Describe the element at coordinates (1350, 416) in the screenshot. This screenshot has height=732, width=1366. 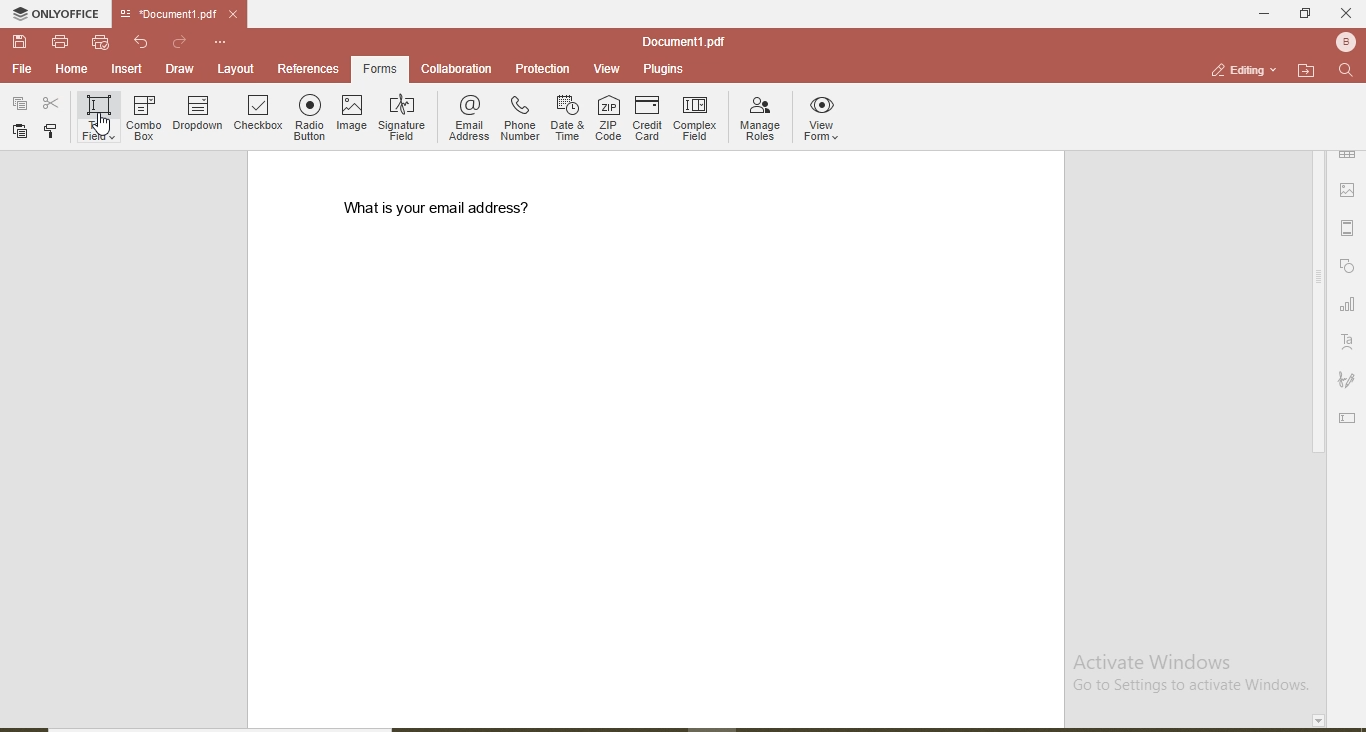
I see `edit text` at that location.